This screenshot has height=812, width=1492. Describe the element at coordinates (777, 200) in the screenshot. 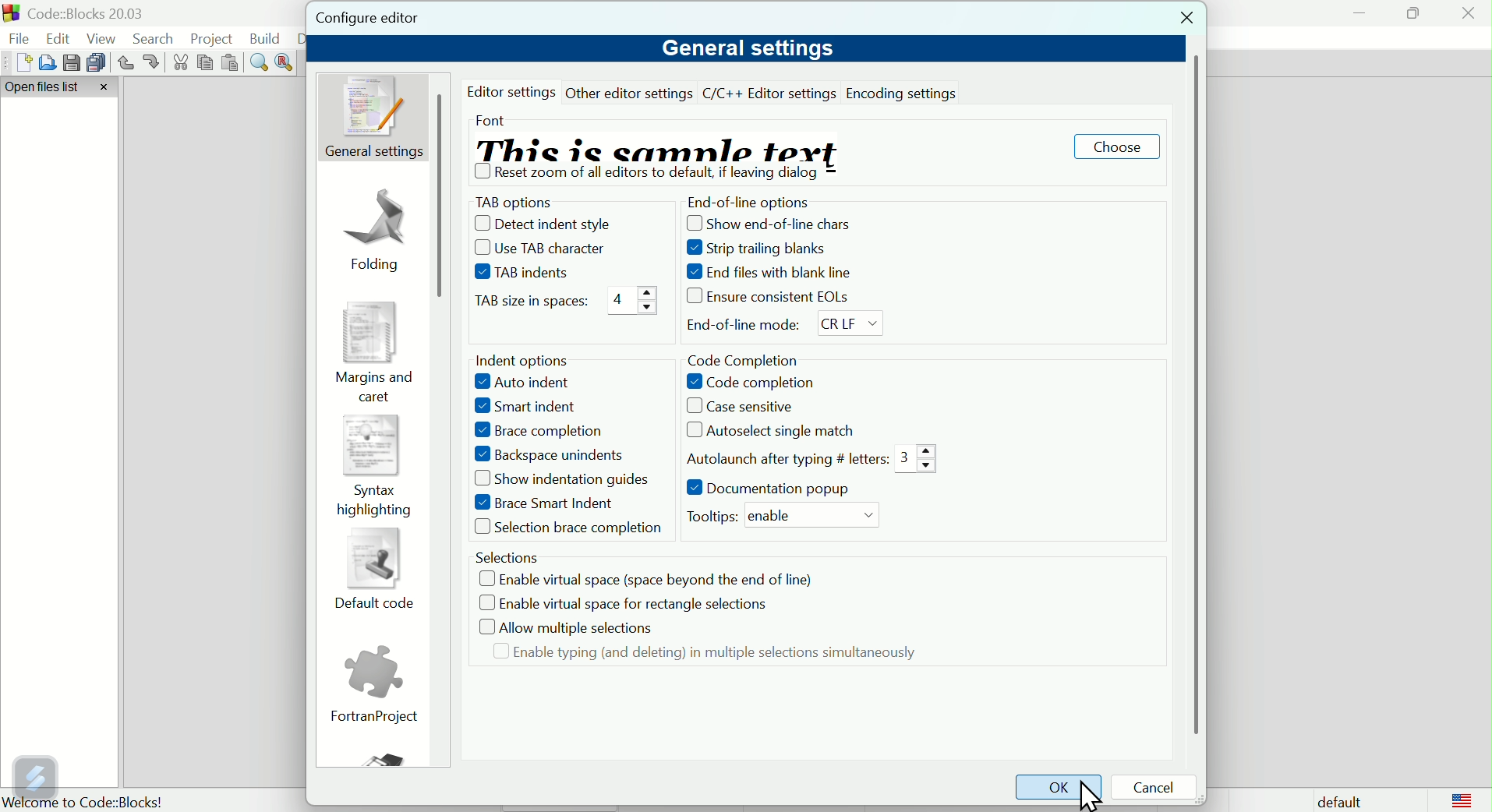

I see `End of line options` at that location.